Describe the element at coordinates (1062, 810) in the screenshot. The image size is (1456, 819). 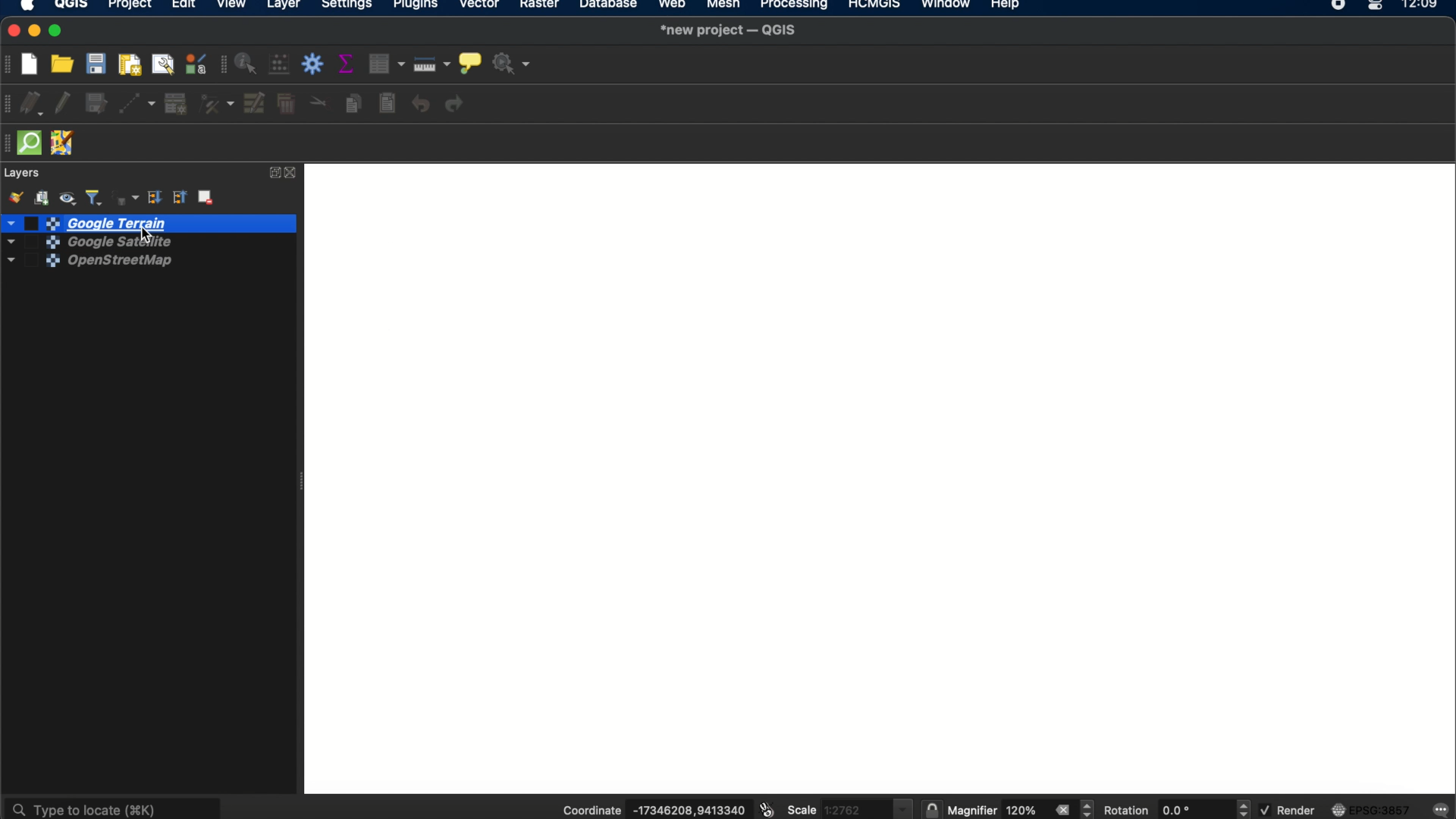
I see `close` at that location.